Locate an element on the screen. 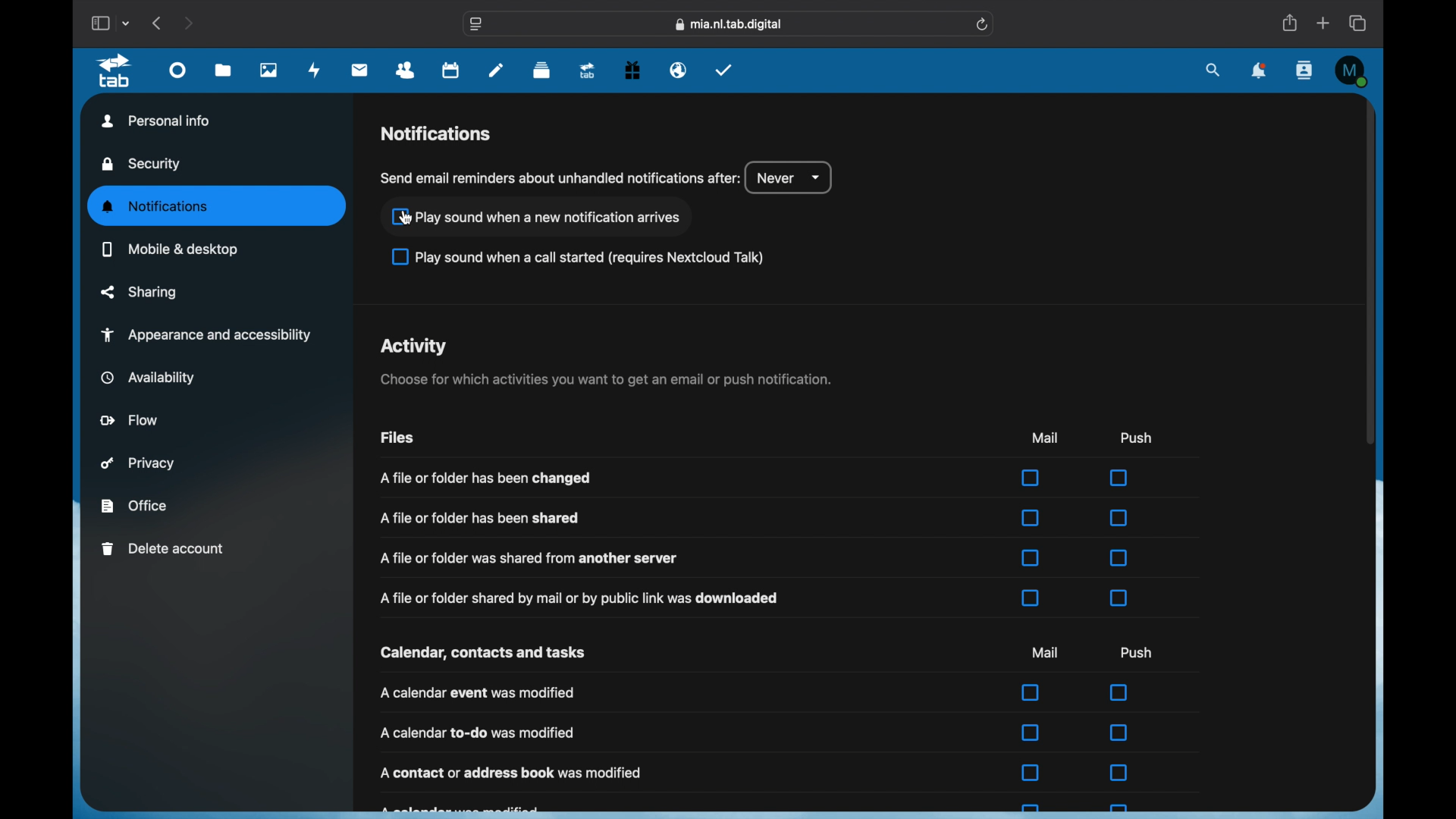  push is located at coordinates (1137, 437).